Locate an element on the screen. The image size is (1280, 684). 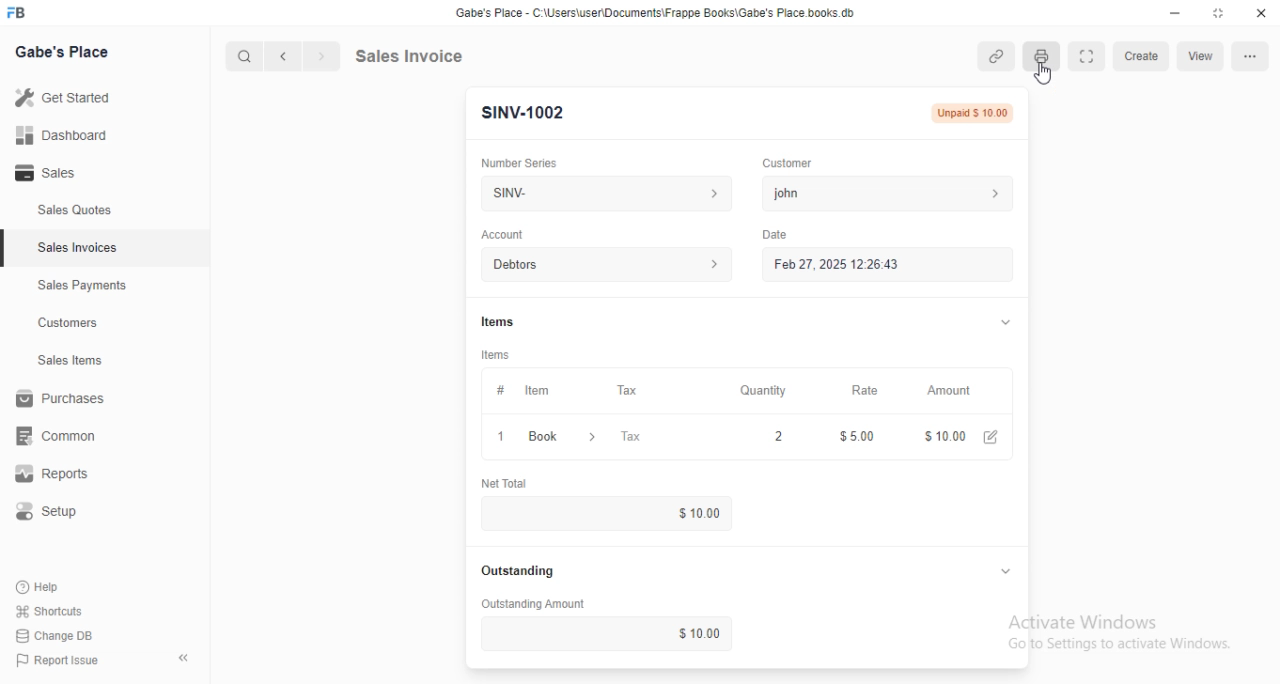
create is located at coordinates (1142, 57).